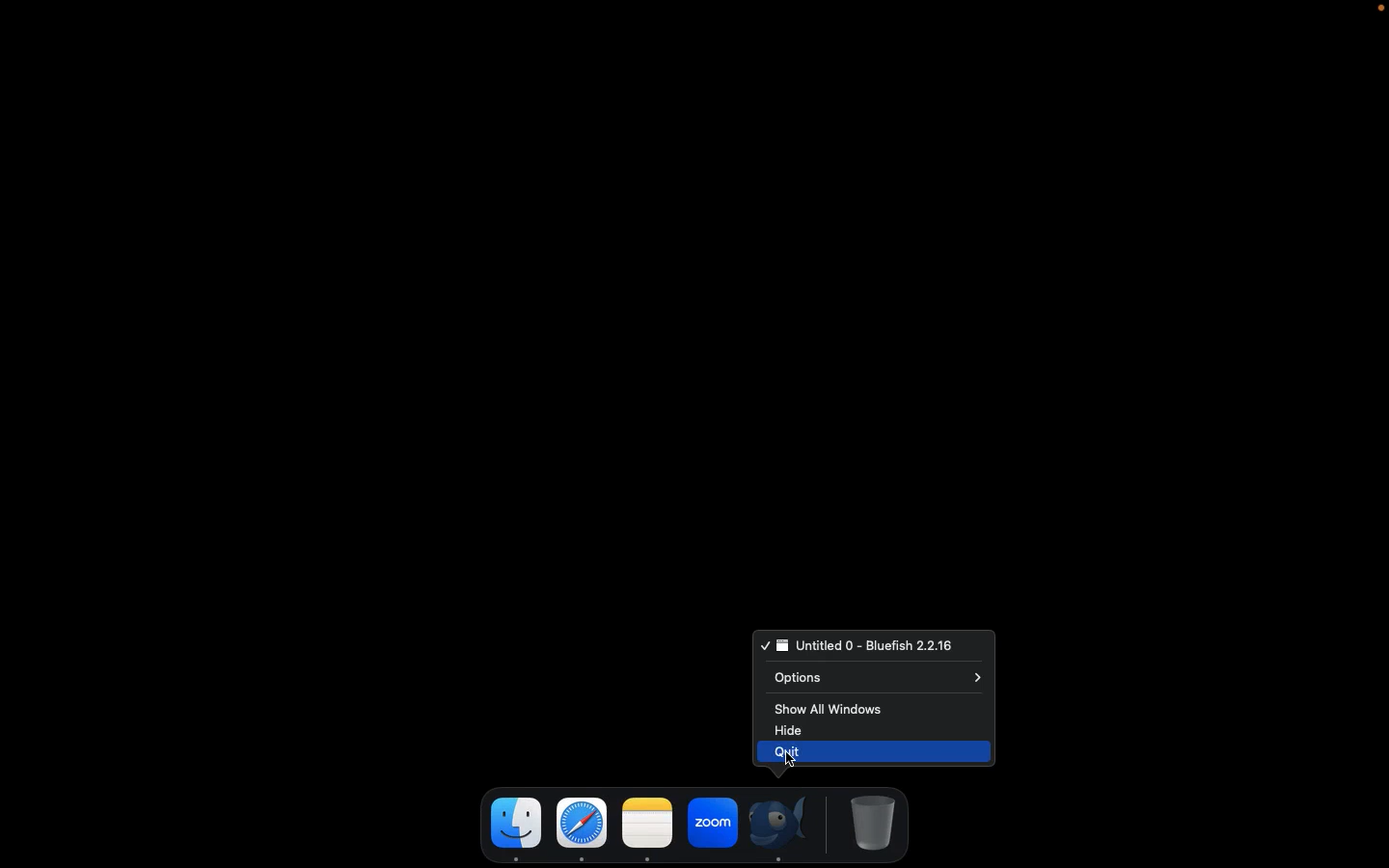 This screenshot has width=1389, height=868. I want to click on cursor, so click(799, 767).